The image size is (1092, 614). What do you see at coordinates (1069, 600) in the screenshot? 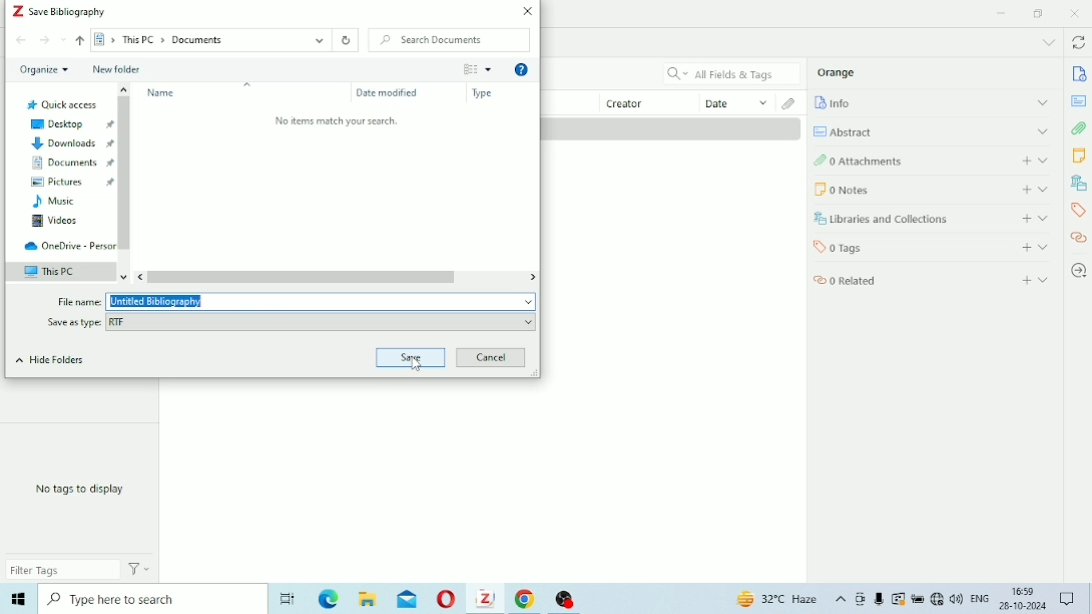
I see `Notifications` at bounding box center [1069, 600].